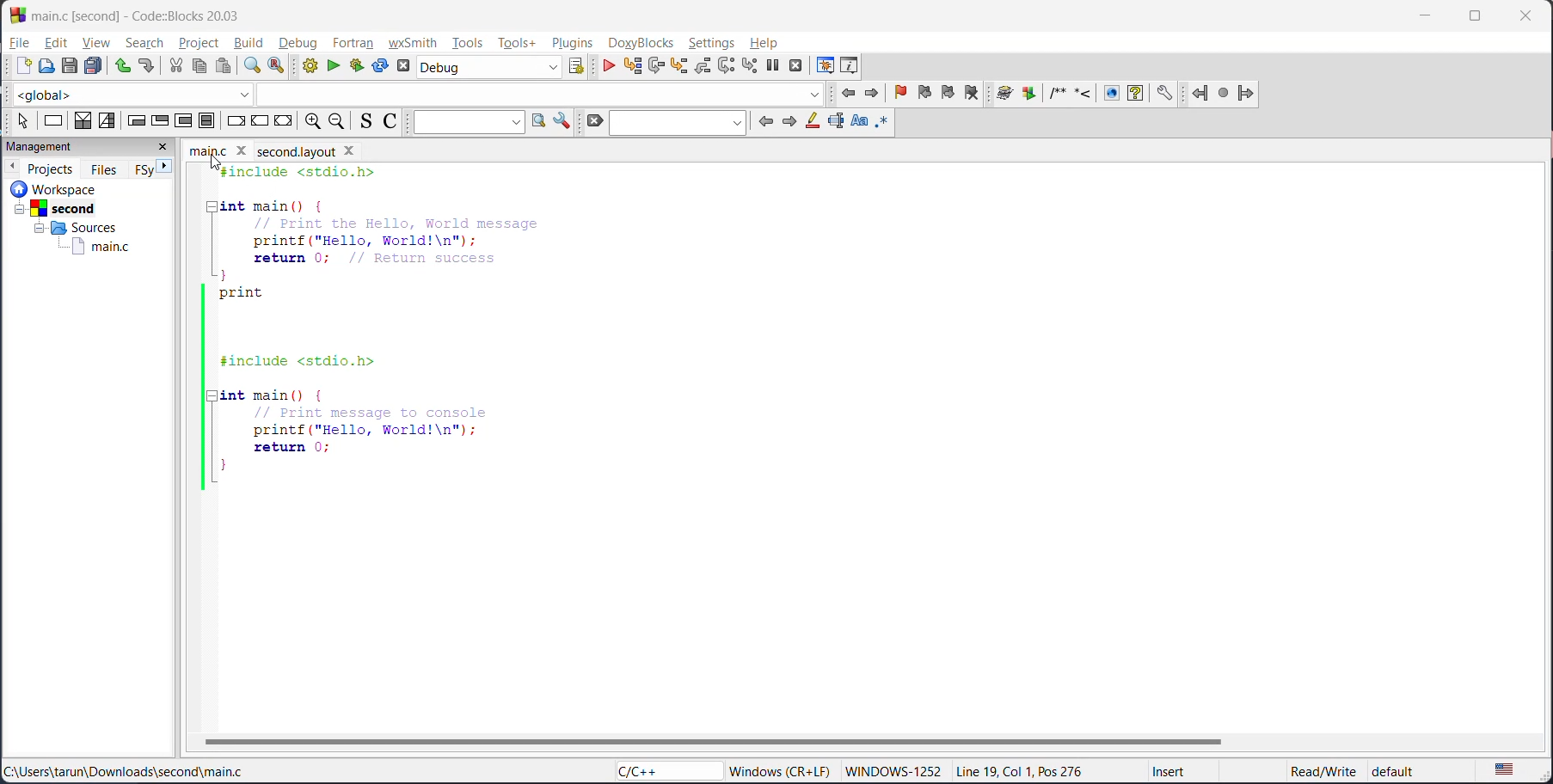 The width and height of the screenshot is (1553, 784). What do you see at coordinates (95, 67) in the screenshot?
I see `save everything` at bounding box center [95, 67].